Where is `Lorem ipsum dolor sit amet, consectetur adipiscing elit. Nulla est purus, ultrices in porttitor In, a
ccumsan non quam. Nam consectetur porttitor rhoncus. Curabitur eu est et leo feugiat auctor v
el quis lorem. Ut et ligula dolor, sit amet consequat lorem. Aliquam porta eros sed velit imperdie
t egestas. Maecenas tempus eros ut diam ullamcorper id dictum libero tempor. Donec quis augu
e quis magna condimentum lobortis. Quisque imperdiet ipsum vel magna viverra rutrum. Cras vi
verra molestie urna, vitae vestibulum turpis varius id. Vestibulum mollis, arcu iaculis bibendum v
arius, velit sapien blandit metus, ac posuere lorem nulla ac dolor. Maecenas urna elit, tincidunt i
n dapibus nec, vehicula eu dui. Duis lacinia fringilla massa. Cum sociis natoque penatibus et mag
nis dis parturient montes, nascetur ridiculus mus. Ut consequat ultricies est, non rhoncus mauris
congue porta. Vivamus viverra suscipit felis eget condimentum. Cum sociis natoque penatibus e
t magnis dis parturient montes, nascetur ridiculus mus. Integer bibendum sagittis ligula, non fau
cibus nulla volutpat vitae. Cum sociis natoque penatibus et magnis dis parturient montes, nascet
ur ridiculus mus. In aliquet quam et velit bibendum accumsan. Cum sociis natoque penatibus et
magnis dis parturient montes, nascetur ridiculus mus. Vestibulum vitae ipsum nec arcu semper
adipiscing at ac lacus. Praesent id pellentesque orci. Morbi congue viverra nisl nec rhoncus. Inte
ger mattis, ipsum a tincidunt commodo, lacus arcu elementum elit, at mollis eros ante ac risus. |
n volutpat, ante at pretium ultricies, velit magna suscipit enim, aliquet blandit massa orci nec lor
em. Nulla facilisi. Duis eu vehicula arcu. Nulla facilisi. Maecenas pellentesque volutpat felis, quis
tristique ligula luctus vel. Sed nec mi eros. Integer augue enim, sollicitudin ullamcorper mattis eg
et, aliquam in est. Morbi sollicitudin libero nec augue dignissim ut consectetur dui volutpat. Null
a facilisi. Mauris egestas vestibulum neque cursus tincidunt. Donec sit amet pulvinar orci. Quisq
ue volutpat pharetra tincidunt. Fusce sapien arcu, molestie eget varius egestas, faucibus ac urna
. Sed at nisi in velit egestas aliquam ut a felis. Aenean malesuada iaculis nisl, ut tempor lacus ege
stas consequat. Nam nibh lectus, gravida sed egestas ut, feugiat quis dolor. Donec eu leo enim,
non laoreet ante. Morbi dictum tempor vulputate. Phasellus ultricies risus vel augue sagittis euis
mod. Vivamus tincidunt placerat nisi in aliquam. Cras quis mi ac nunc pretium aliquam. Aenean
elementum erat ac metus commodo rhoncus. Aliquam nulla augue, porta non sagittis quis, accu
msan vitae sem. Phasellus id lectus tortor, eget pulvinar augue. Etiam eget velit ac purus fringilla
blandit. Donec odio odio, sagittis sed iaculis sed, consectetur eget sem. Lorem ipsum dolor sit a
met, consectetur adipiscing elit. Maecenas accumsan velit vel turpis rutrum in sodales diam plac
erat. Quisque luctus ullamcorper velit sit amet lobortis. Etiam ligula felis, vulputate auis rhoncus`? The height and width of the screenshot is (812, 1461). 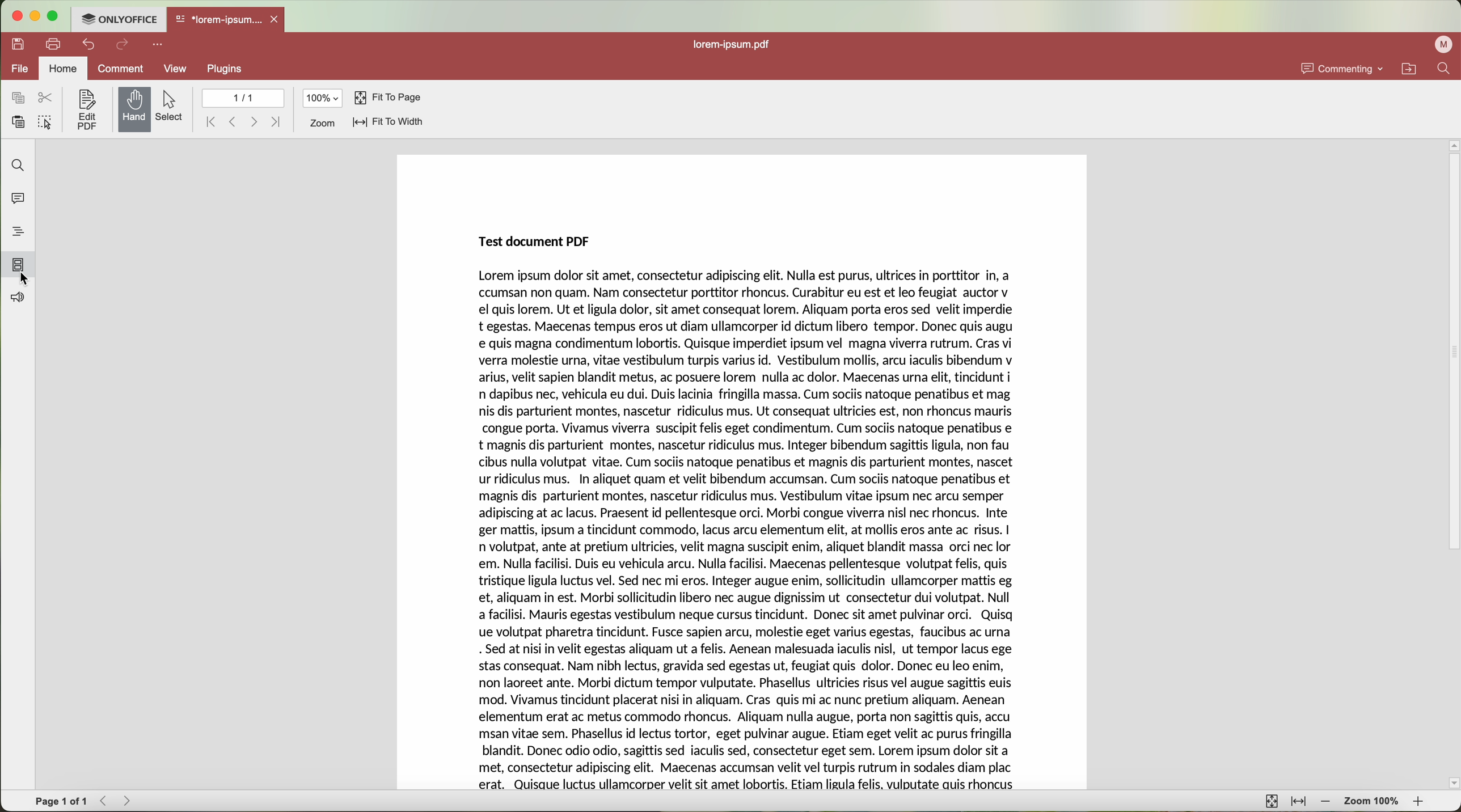 Lorem ipsum dolor sit amet, consectetur adipiscing elit. Nulla est purus, ultrices in porttitor In, a
ccumsan non quam. Nam consectetur porttitor rhoncus. Curabitur eu est et leo feugiat auctor v
el quis lorem. Ut et ligula dolor, sit amet consequat lorem. Aliquam porta eros sed velit imperdie
t egestas. Maecenas tempus eros ut diam ullamcorper id dictum libero tempor. Donec quis augu
e quis magna condimentum lobortis. Quisque imperdiet ipsum vel magna viverra rutrum. Cras vi
verra molestie urna, vitae vestibulum turpis varius id. Vestibulum mollis, arcu iaculis bibendum v
arius, velit sapien blandit metus, ac posuere lorem nulla ac dolor. Maecenas urna elit, tincidunt i
n dapibus nec, vehicula eu dui. Duis lacinia fringilla massa. Cum sociis natoque penatibus et mag
nis dis parturient montes, nascetur ridiculus mus. Ut consequat ultricies est, non rhoncus mauris
congue porta. Vivamus viverra suscipit felis eget condimentum. Cum sociis natoque penatibus e
t magnis dis parturient montes, nascetur ridiculus mus. Integer bibendum sagittis ligula, non fau
cibus nulla volutpat vitae. Cum sociis natoque penatibus et magnis dis parturient montes, nascet
ur ridiculus mus. In aliquet quam et velit bibendum accumsan. Cum sociis natoque penatibus et
magnis dis parturient montes, nascetur ridiculus mus. Vestibulum vitae ipsum nec arcu semper
adipiscing at ac lacus. Praesent id pellentesque orci. Morbi congue viverra nisl nec rhoncus. Inte
ger mattis, ipsum a tincidunt commodo, lacus arcu elementum elit, at mollis eros ante ac risus. |
n volutpat, ante at pretium ultricies, velit magna suscipit enim, aliquet blandit massa orci nec lor
em. Nulla facilisi. Duis eu vehicula arcu. Nulla facilisi. Maecenas pellentesque volutpat felis, quis
tristique ligula luctus vel. Sed nec mi eros. Integer augue enim, sollicitudin ullamcorper mattis eg
et, aliquam in est. Morbi sollicitudin libero nec augue dignissim ut consectetur dui volutpat. Null
a facilisi. Mauris egestas vestibulum neque cursus tincidunt. Donec sit amet pulvinar orci. Quisq
ue volutpat pharetra tincidunt. Fusce sapien arcu, molestie eget varius egestas, faucibus ac urna
. Sed at nisi in velit egestas aliquam ut a felis. Aenean malesuada iaculis nisl, ut tempor lacus ege
stas consequat. Nam nibh lectus, gravida sed egestas ut, feugiat quis dolor. Donec eu leo enim,
non laoreet ante. Morbi dictum tempor vulputate. Phasellus ultricies risus vel augue sagittis euis
mod. Vivamus tincidunt placerat nisi in aliquam. Cras quis mi ac nunc pretium aliquam. Aenean
elementum erat ac metus commodo rhoncus. Aliquam nulla augue, porta non sagittis quis, accu
msan vitae sem. Phasellus id lectus tortor, eget pulvinar augue. Etiam eget velit ac purus fringilla
blandit. Donec odio odio, sagittis sed iaculis sed, consectetur eget sem. Lorem ipsum dolor sit a
met, consectetur adipiscing elit. Maecenas accumsan velit vel turpis rutrum in sodales diam plac
erat. Quisque luctus ullamcorper velit sit amet lobortis. Etiam ligula felis, vulputate auis rhoncus is located at coordinates (751, 531).